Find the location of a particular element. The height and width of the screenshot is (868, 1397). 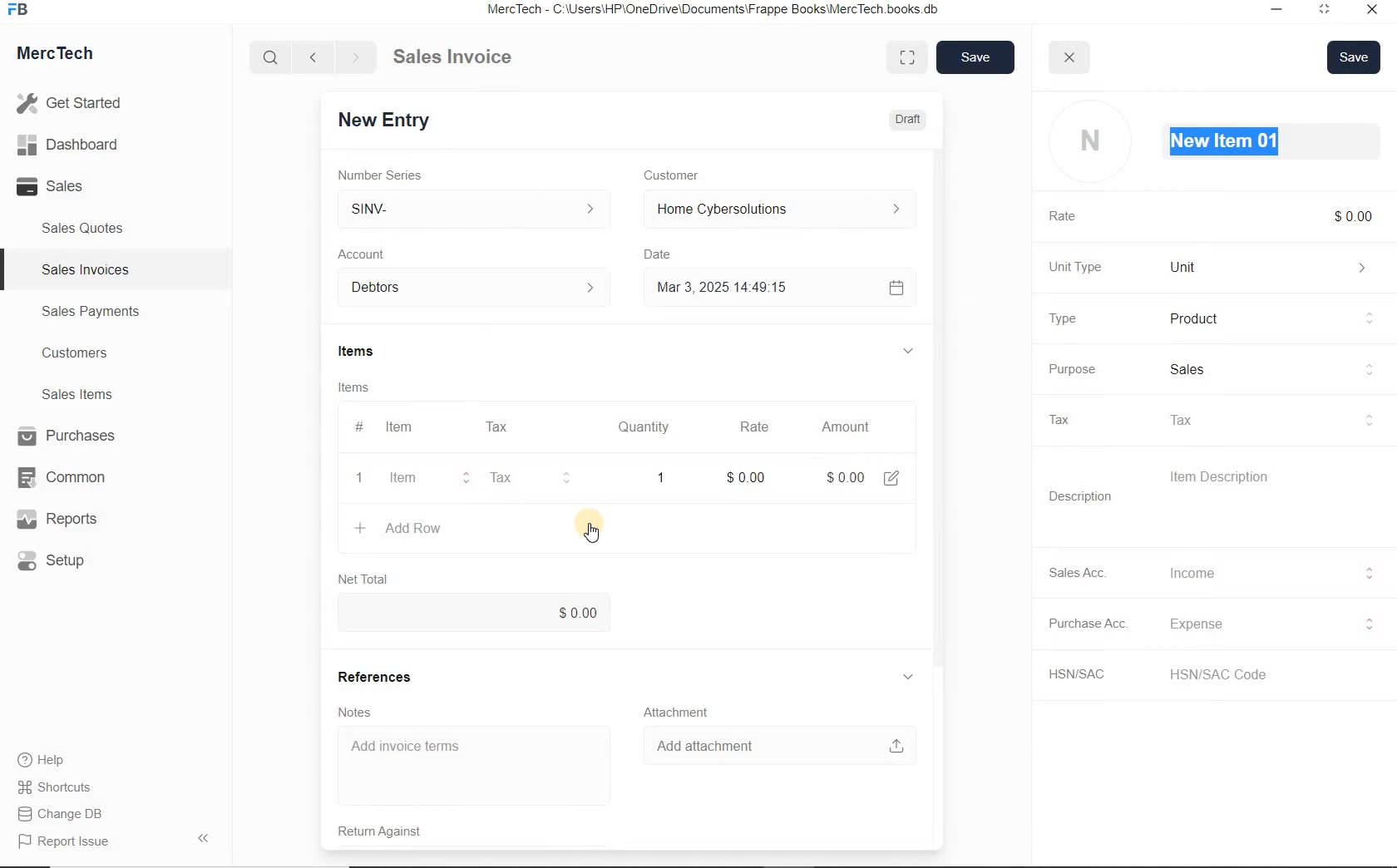

Calendar is located at coordinates (892, 287).